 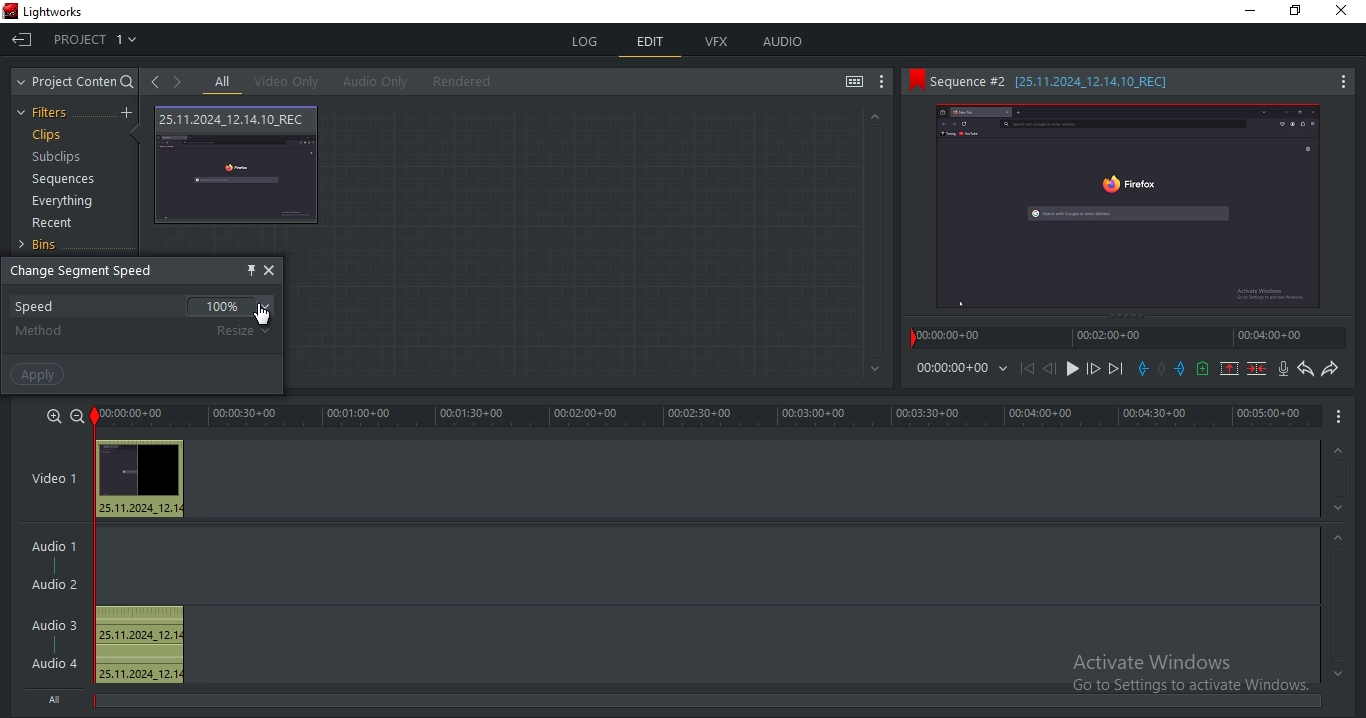 I want to click on video only, so click(x=292, y=82).